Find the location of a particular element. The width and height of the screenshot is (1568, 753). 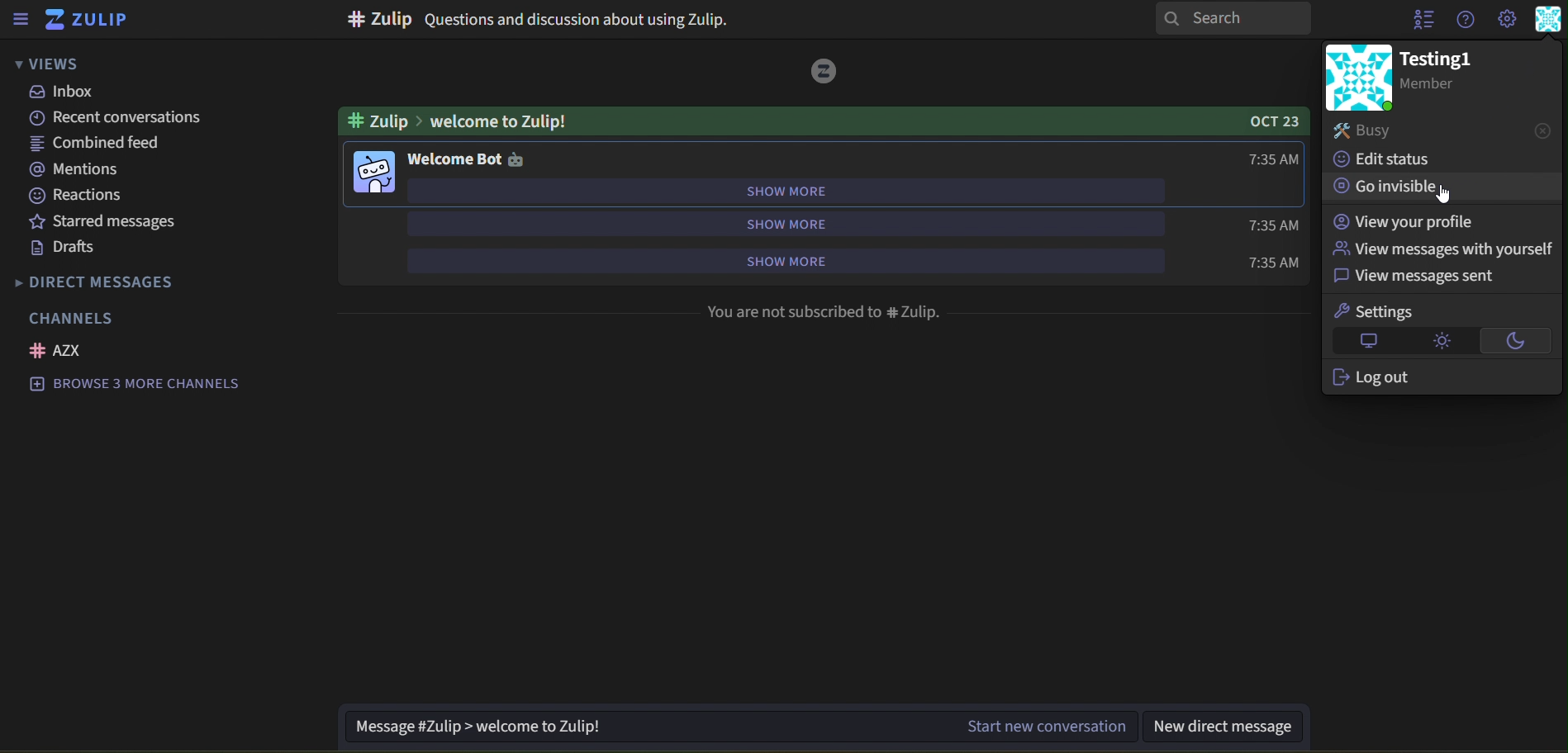

show more is located at coordinates (781, 223).